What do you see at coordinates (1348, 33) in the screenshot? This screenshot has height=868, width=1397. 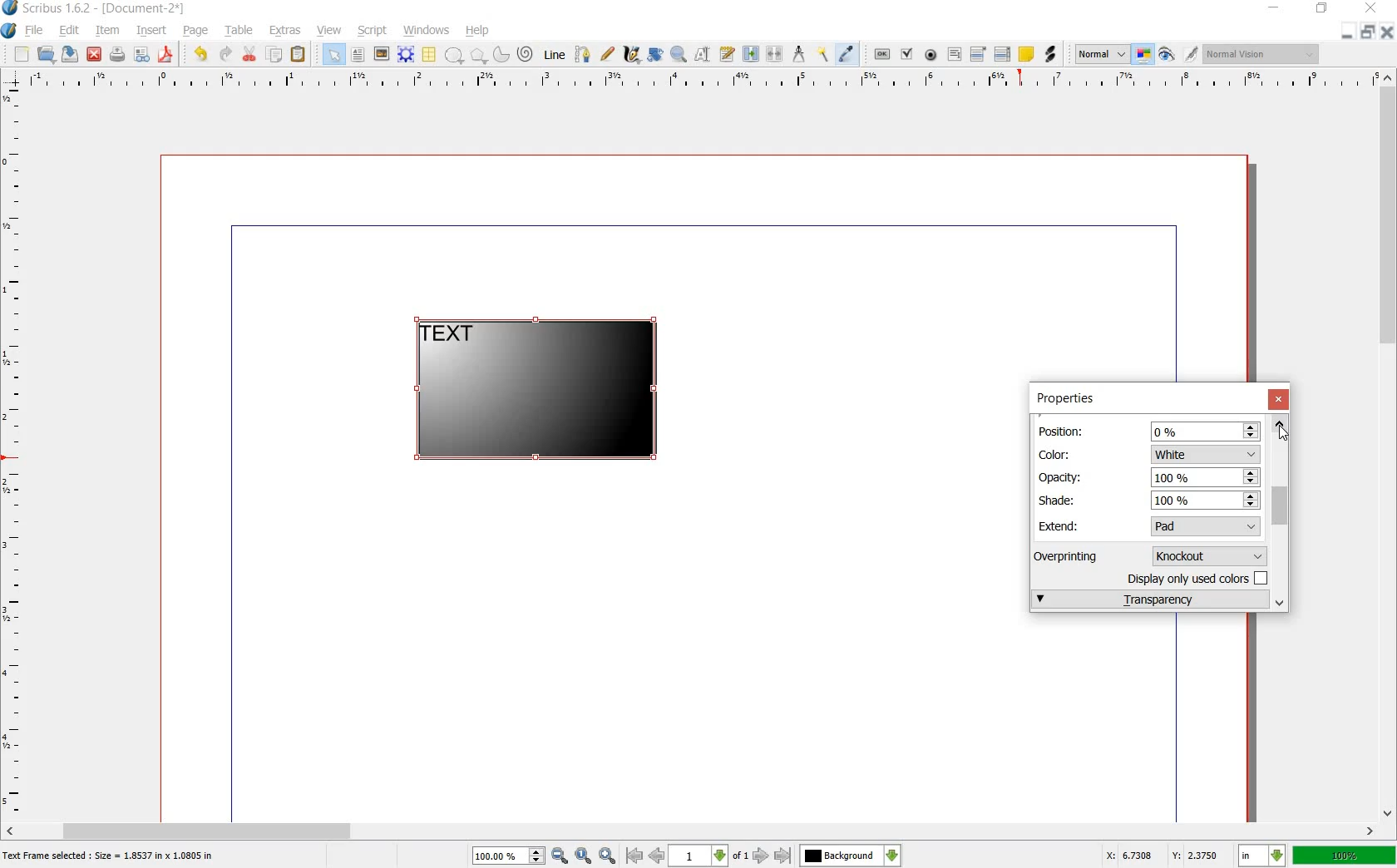 I see `minimize` at bounding box center [1348, 33].